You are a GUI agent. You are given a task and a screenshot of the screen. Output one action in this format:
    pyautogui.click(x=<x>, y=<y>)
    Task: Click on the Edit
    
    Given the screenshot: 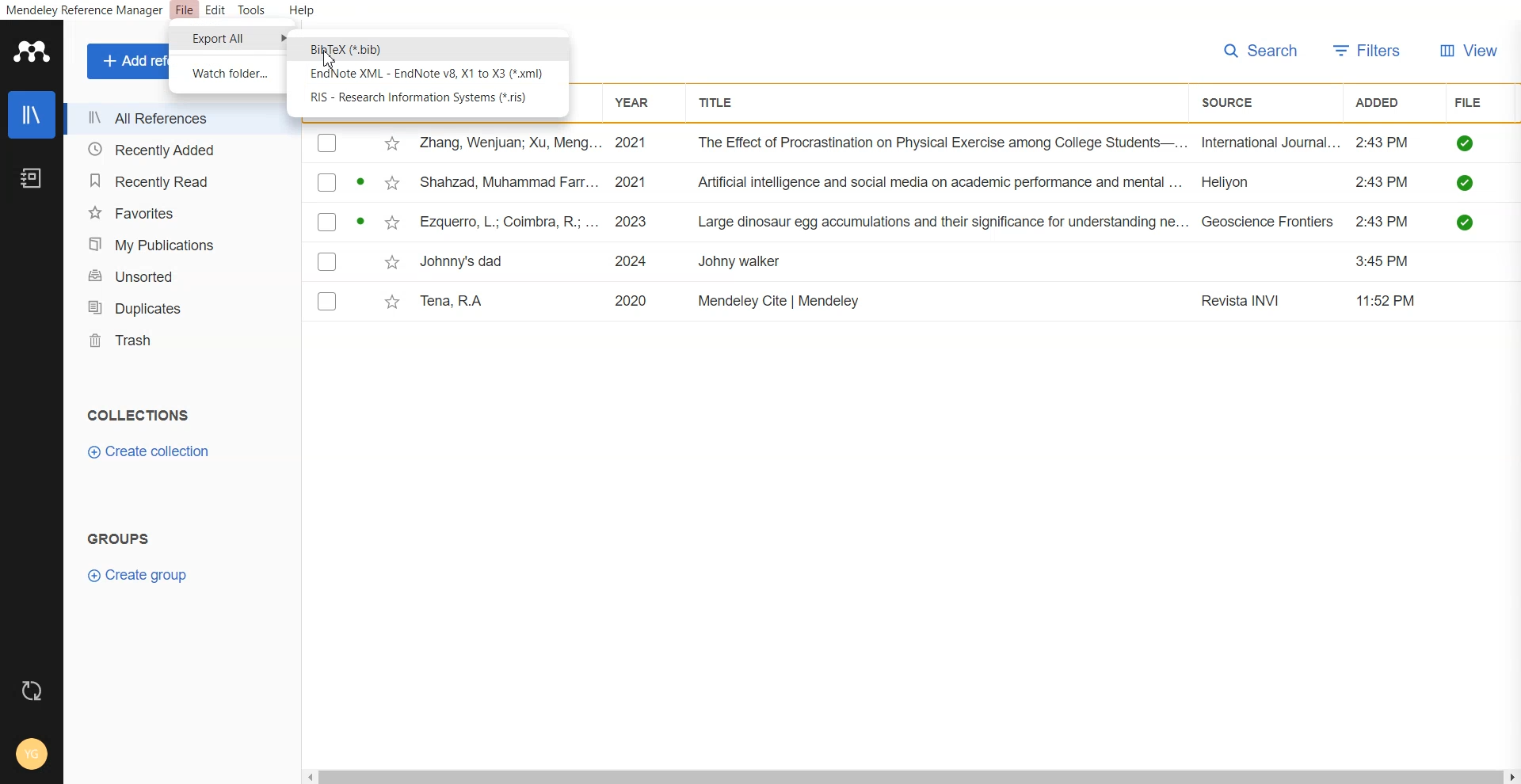 What is the action you would take?
    pyautogui.click(x=215, y=11)
    